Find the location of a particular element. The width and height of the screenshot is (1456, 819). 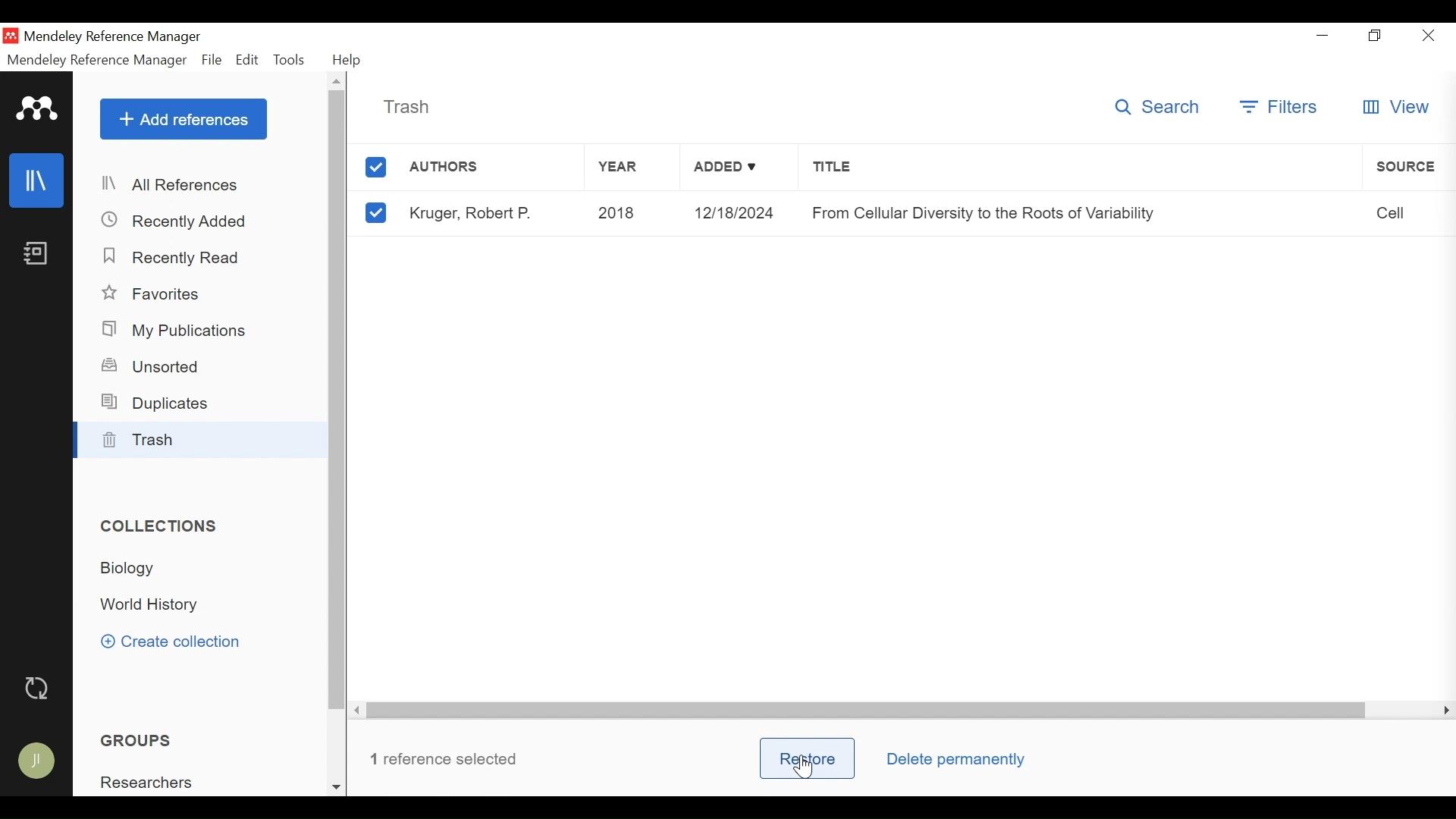

File is located at coordinates (212, 60).